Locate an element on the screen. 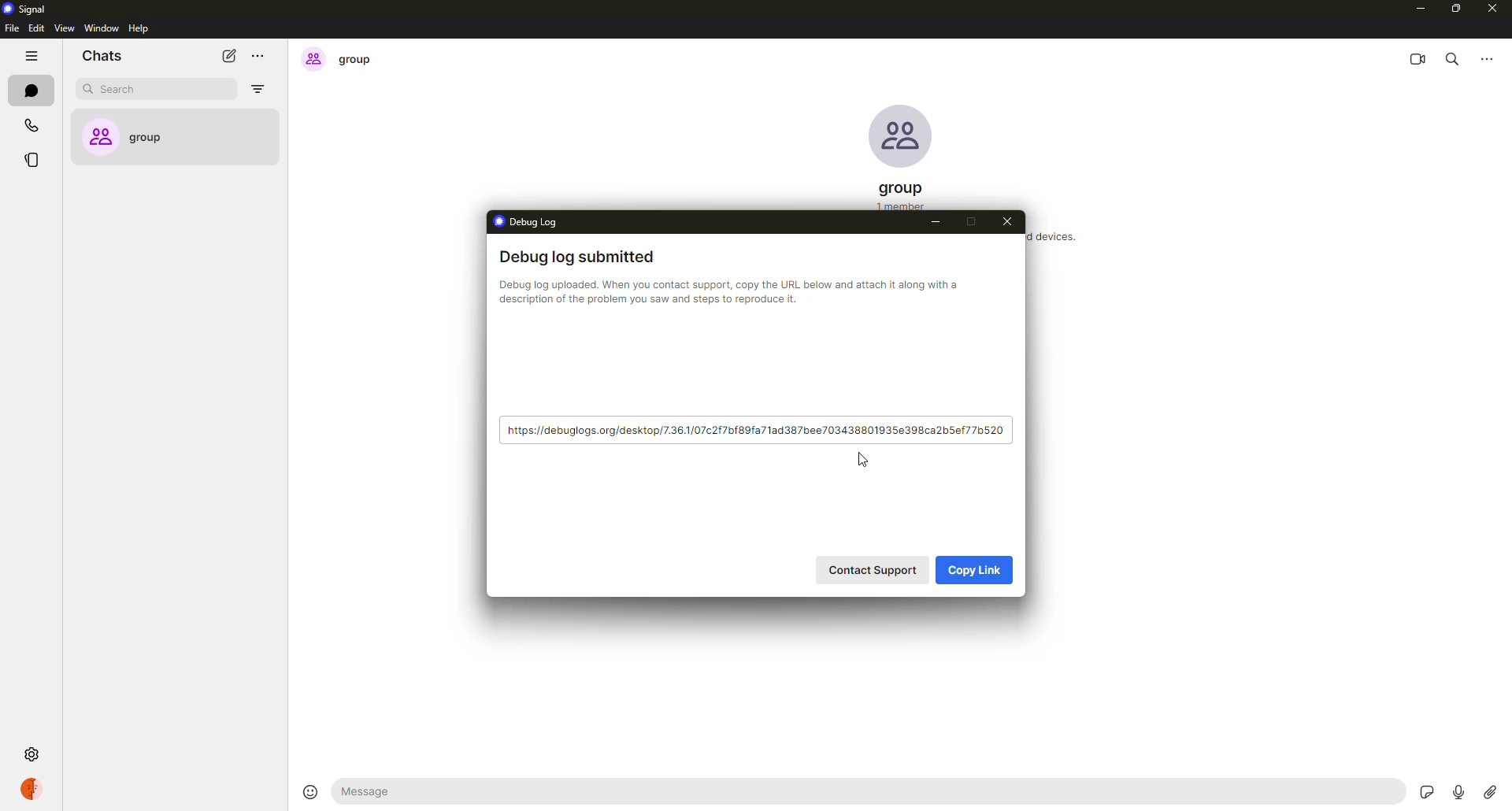  search is located at coordinates (1457, 57).